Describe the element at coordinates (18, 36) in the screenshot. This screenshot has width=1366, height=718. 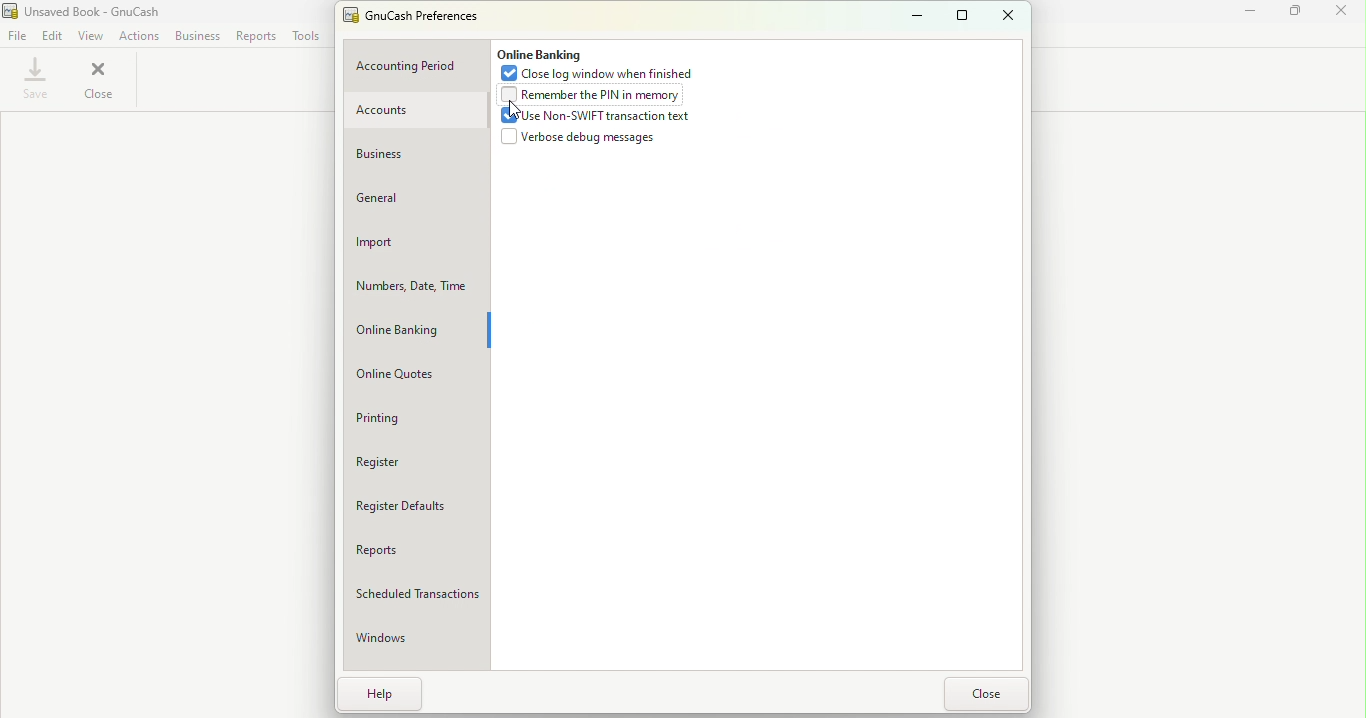
I see `File` at that location.